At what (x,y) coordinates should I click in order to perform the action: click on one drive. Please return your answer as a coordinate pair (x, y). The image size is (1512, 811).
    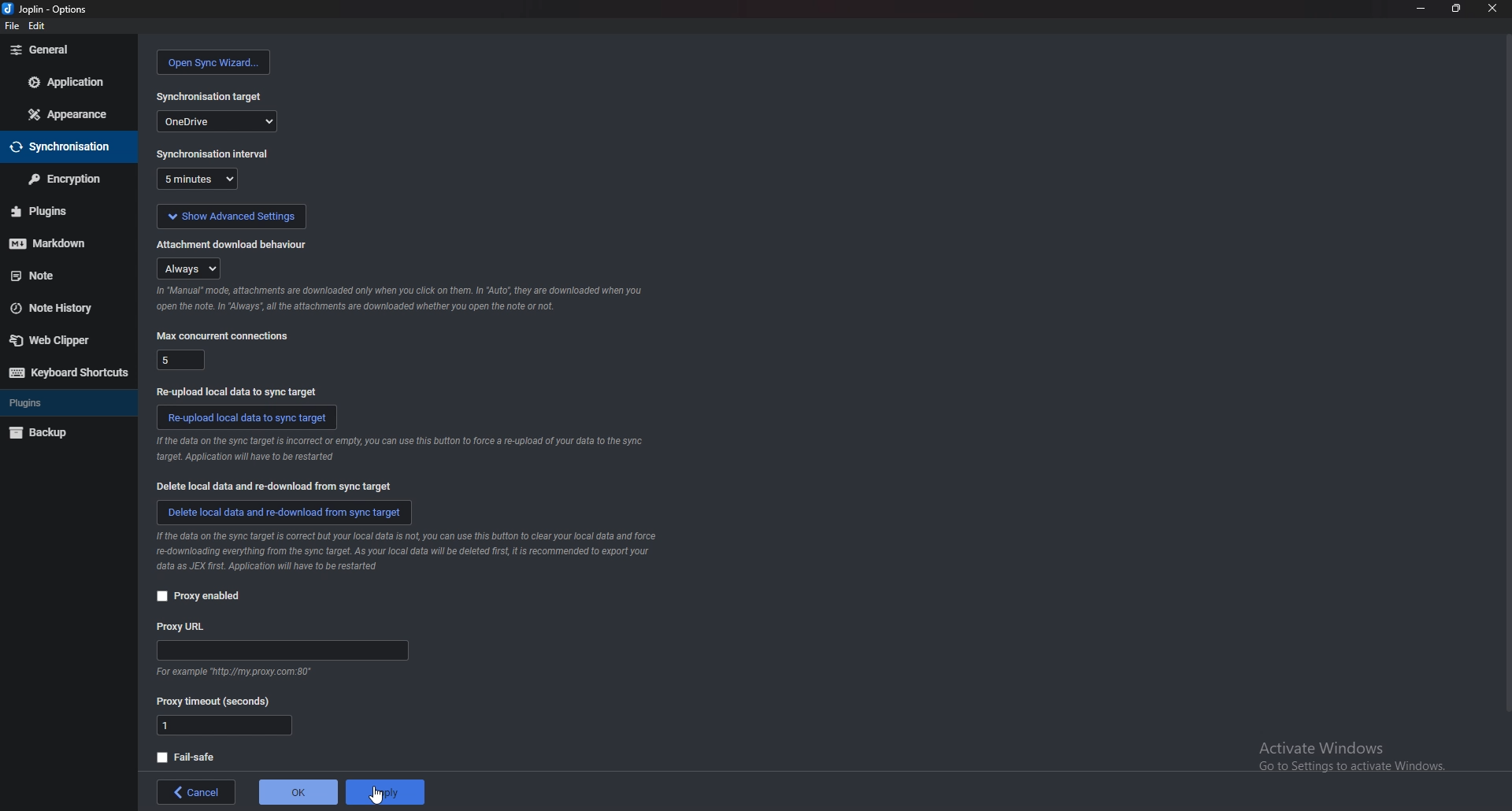
    Looking at the image, I should click on (218, 121).